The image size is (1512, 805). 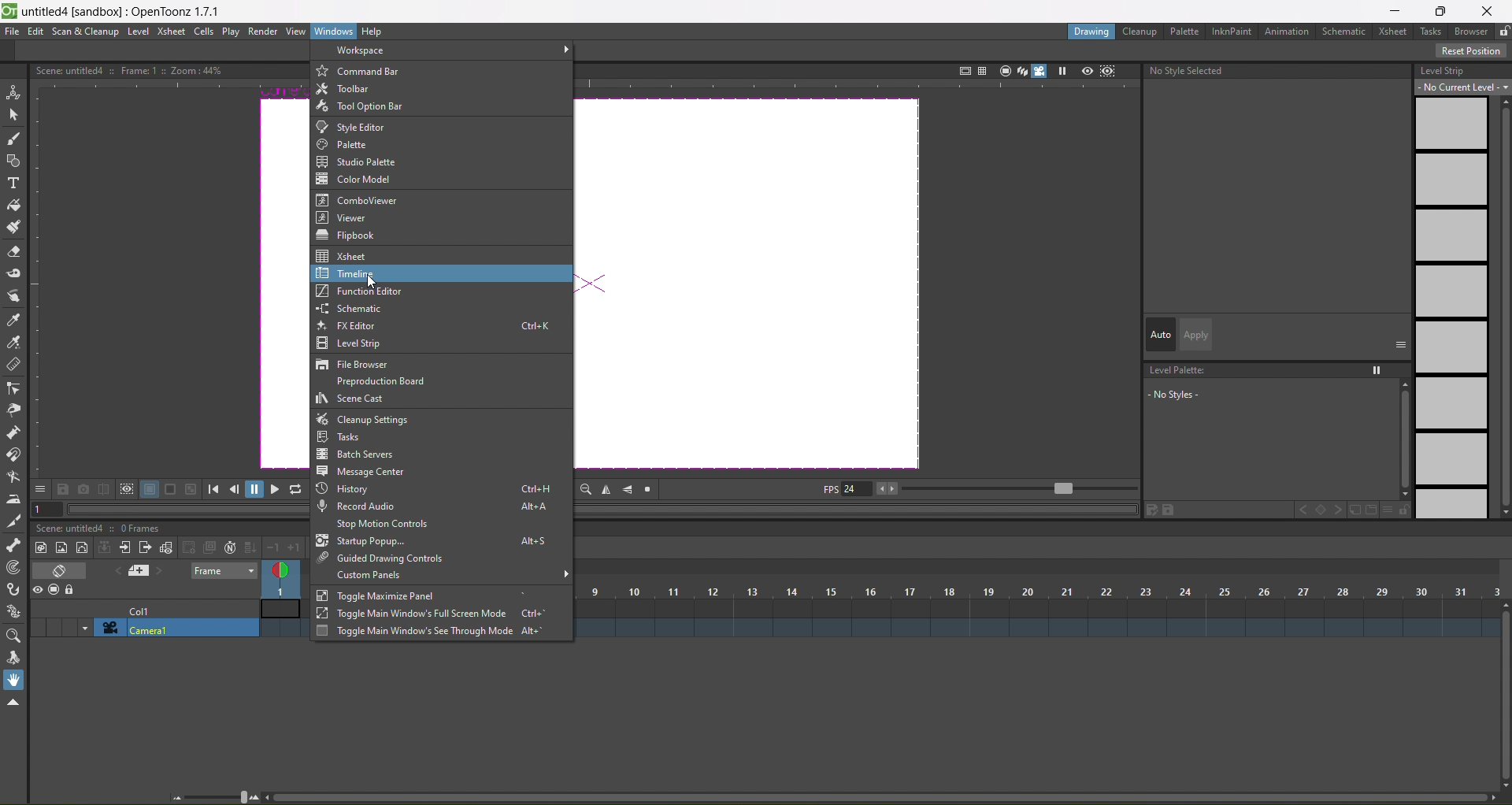 I want to click on increasestep, so click(x=286, y=547).